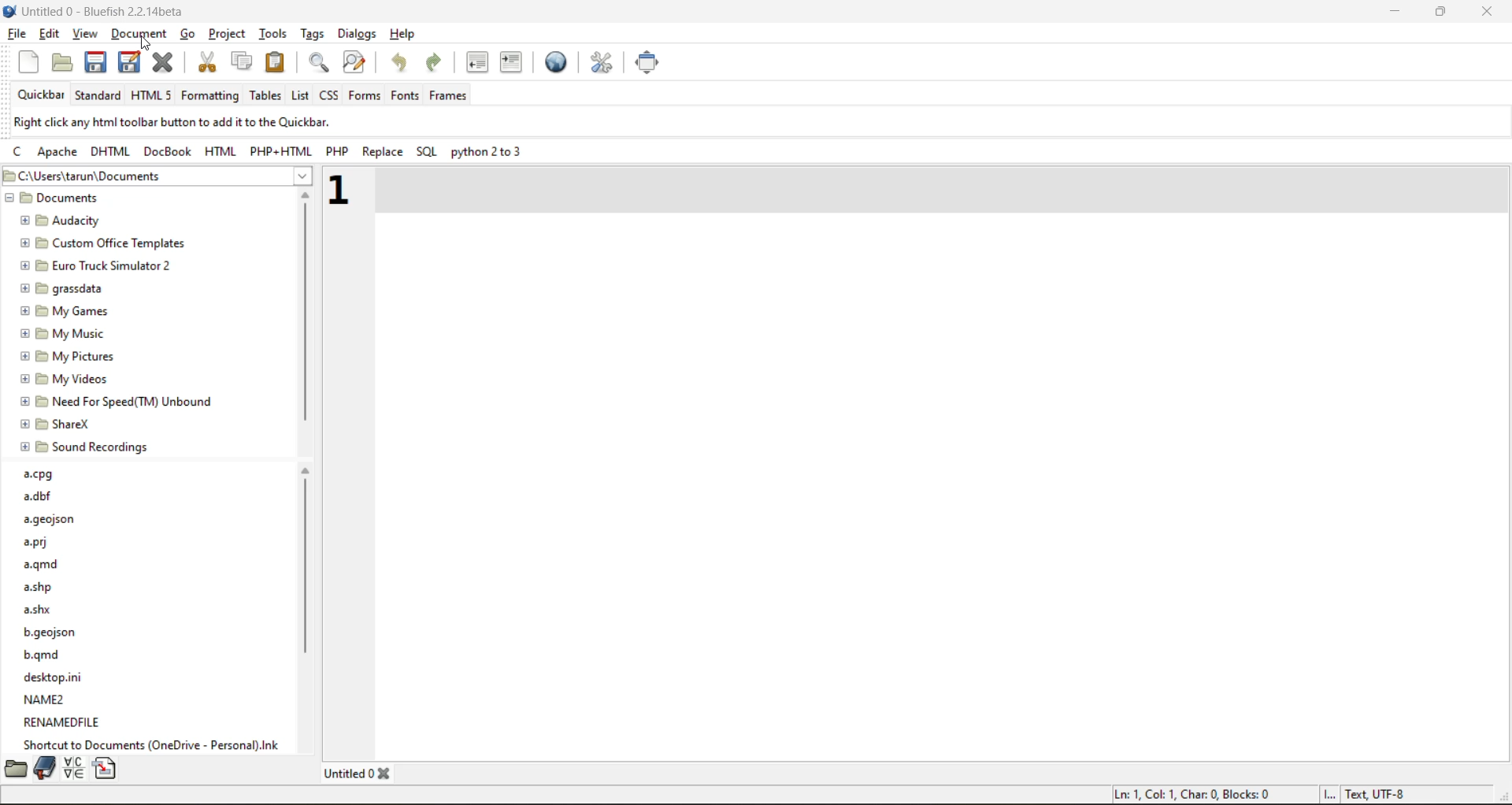 This screenshot has height=805, width=1512. Describe the element at coordinates (85, 447) in the screenshot. I see `sound recordings` at that location.